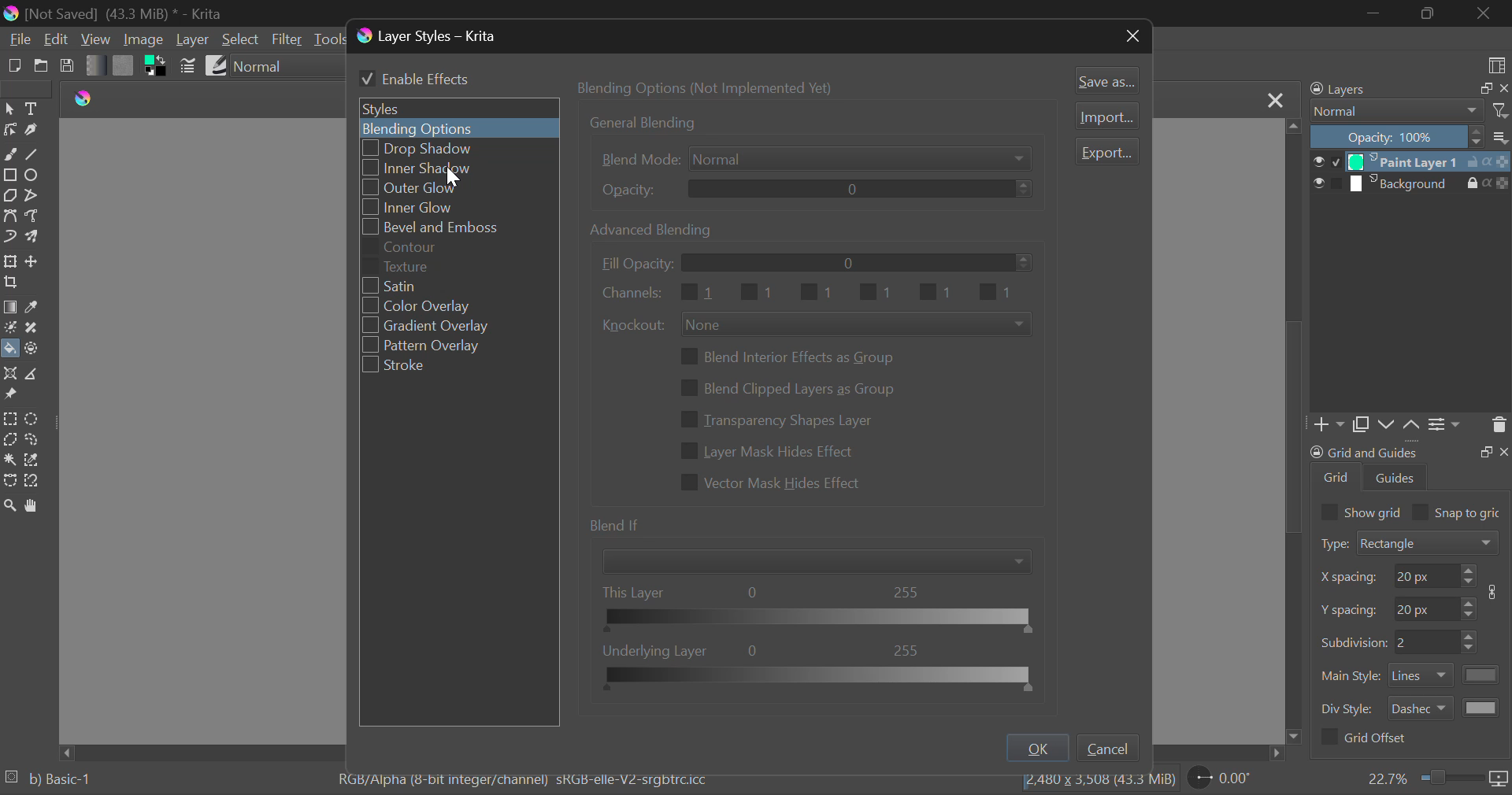  What do you see at coordinates (1274, 100) in the screenshot?
I see `Close` at bounding box center [1274, 100].